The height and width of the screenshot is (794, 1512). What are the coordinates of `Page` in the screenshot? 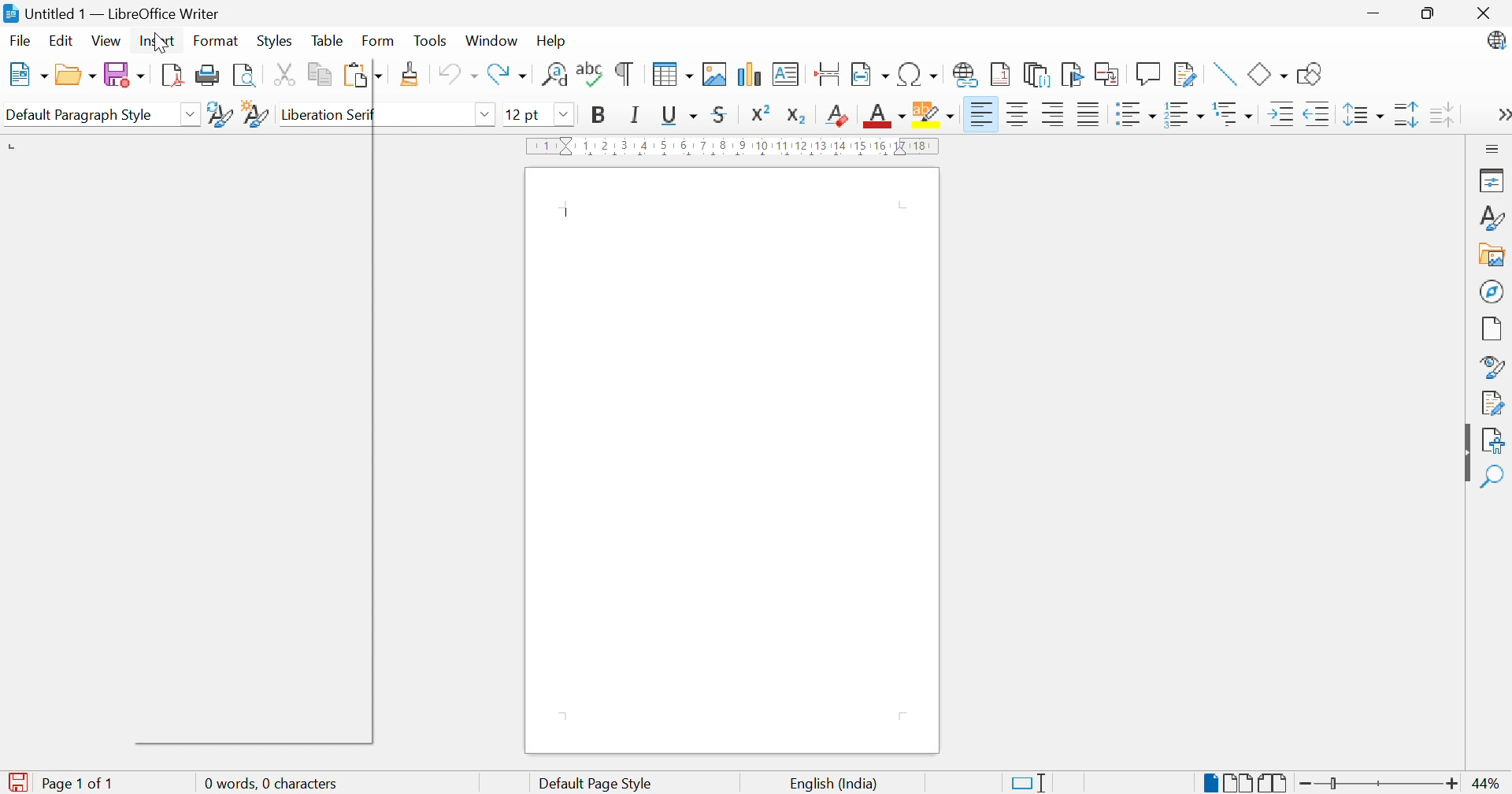 It's located at (1493, 329).